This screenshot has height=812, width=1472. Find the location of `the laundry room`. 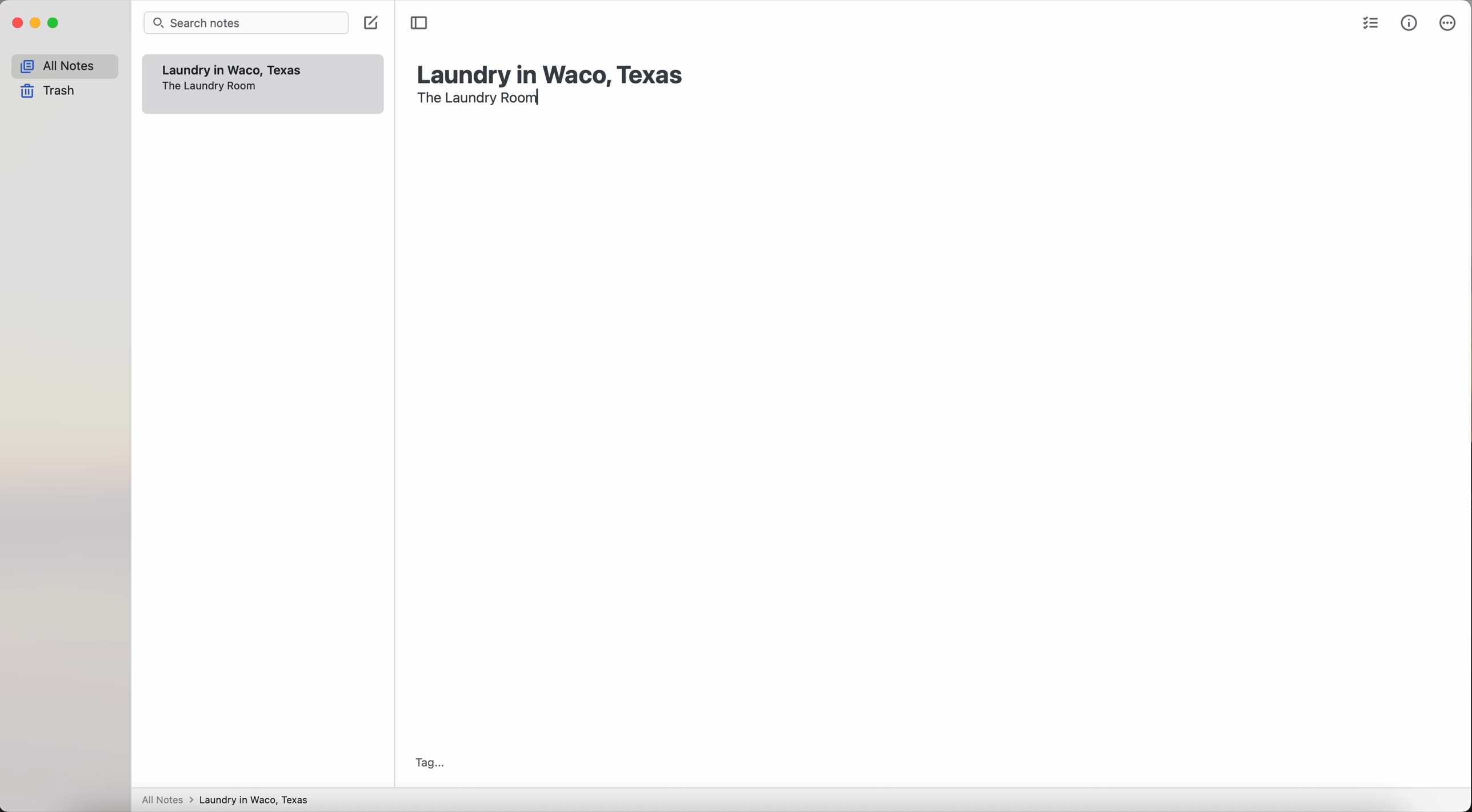

the laundry room is located at coordinates (479, 99).